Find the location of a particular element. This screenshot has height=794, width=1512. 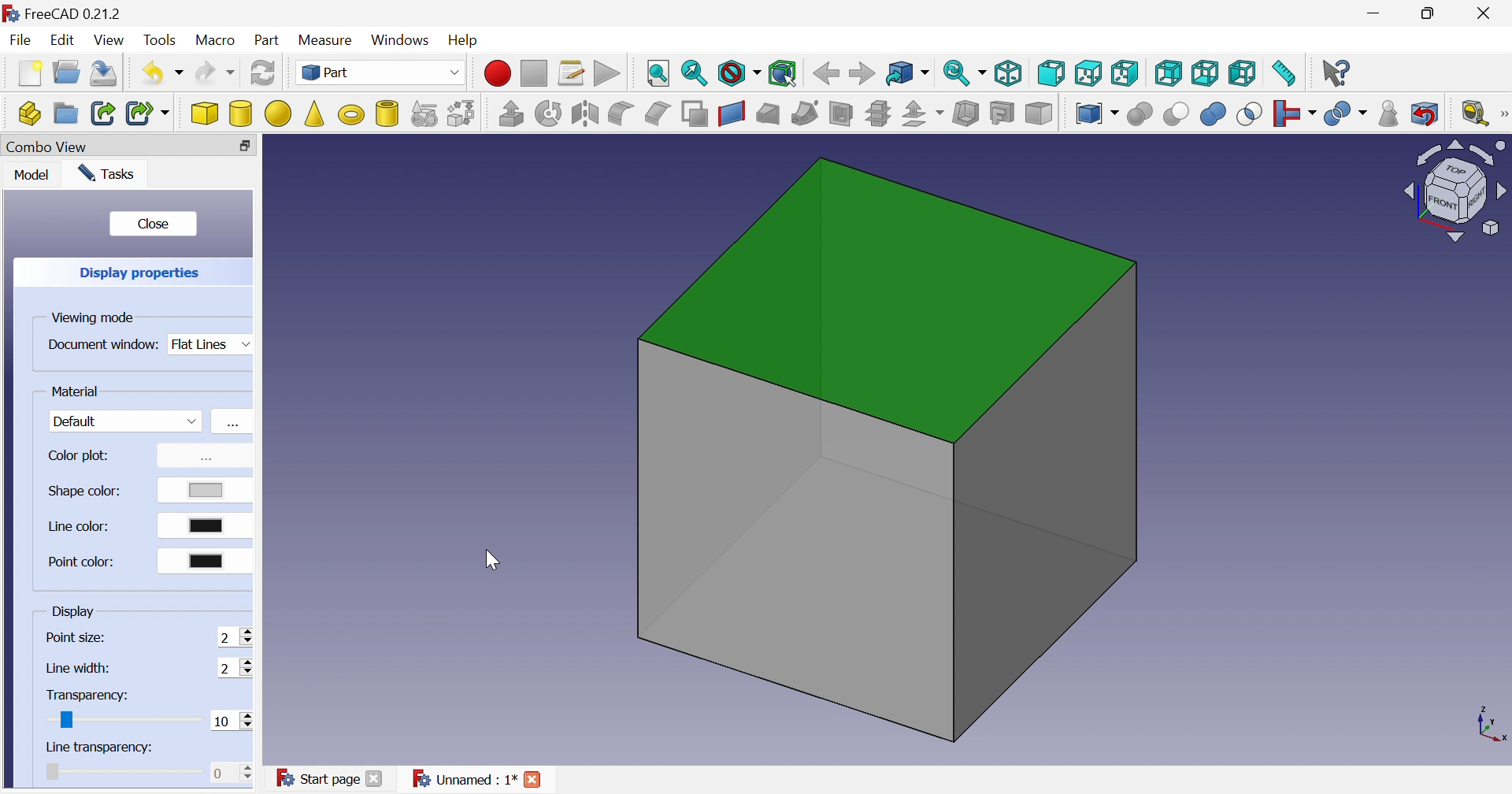

Right is located at coordinates (1125, 72).